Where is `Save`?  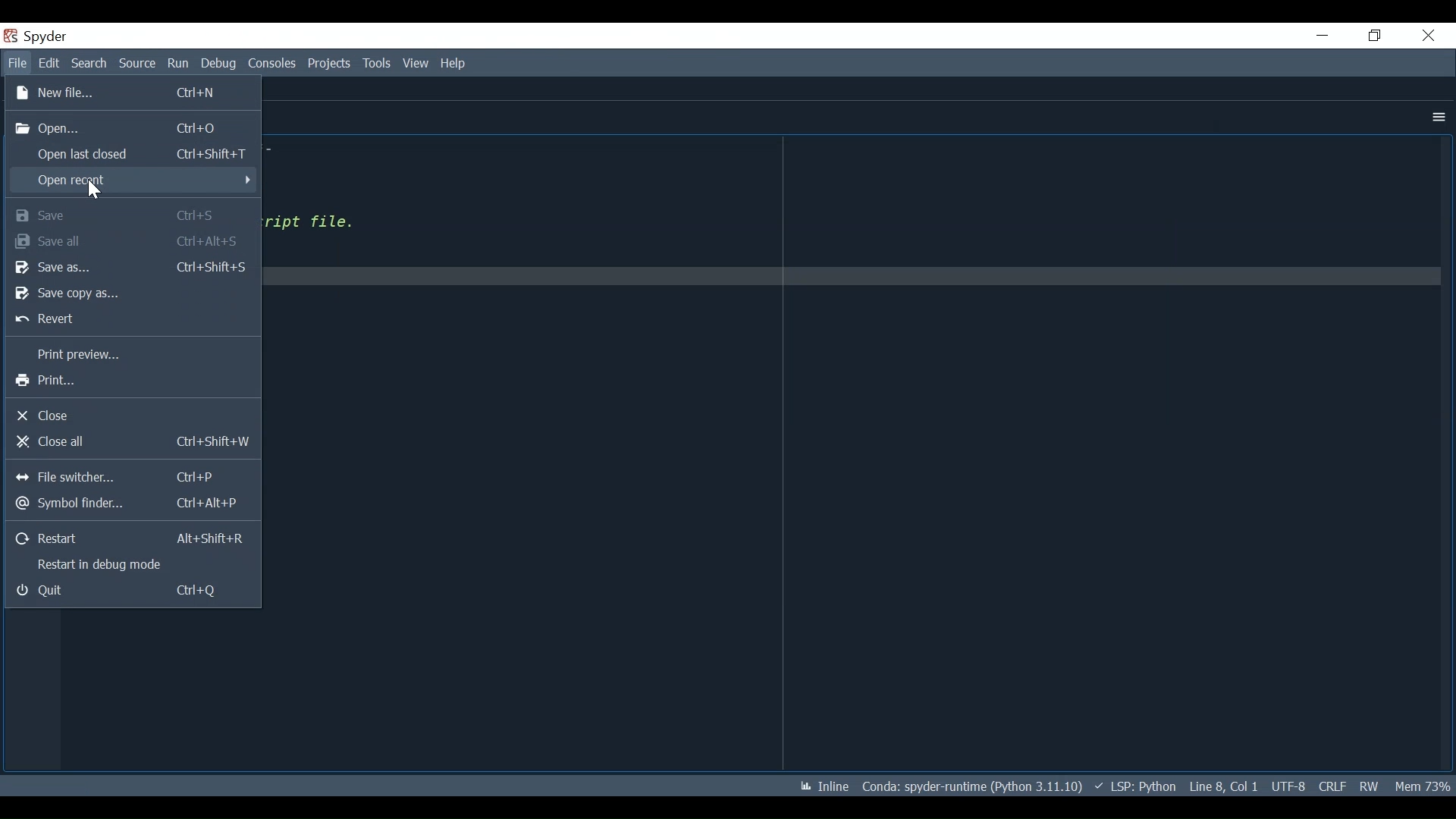
Save is located at coordinates (133, 215).